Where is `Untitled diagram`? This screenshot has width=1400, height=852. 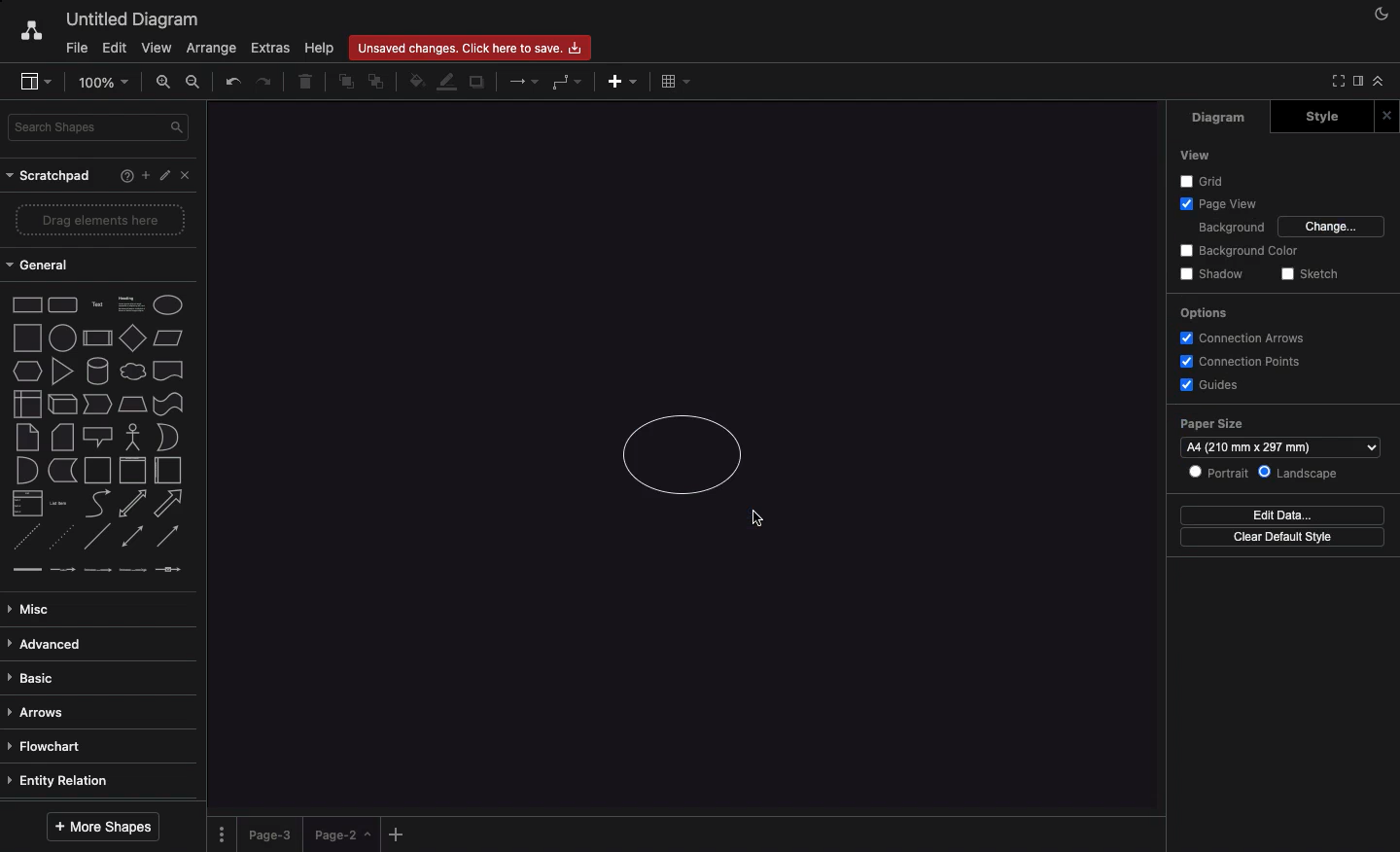 Untitled diagram is located at coordinates (126, 19).